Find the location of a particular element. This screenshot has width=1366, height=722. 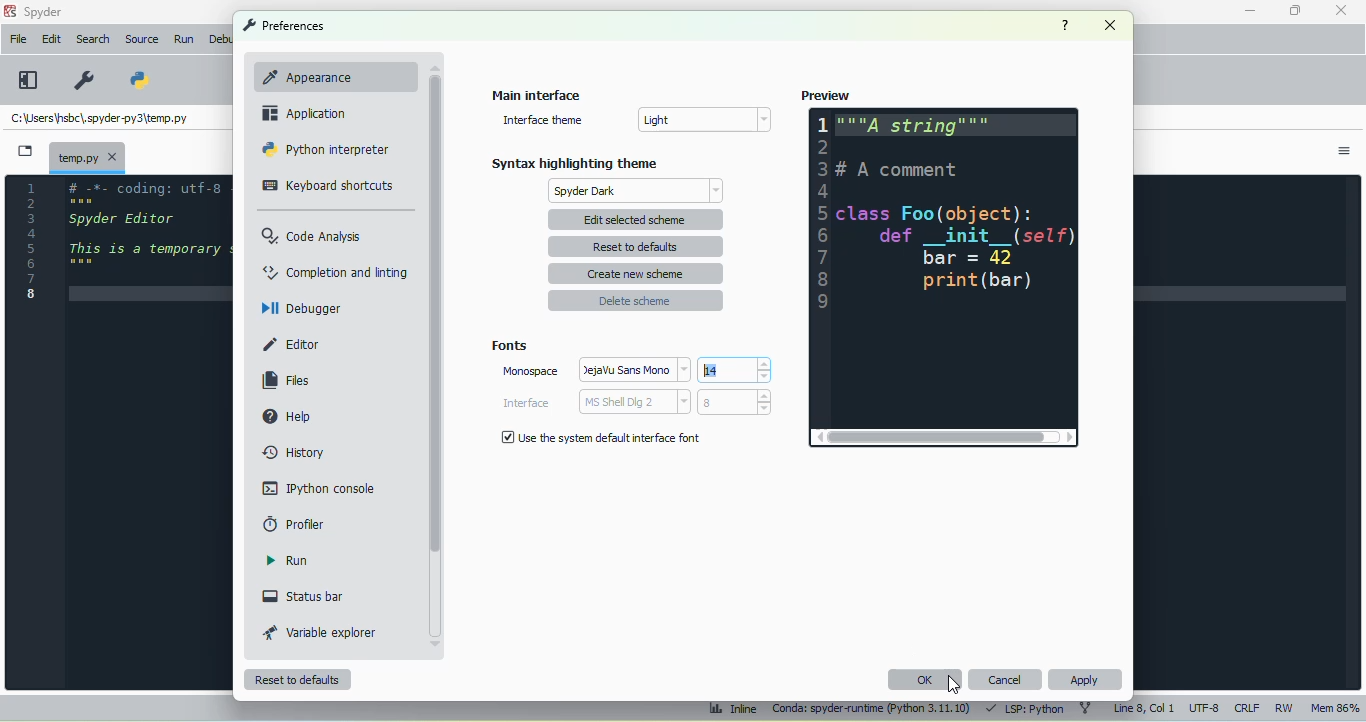

monospace is located at coordinates (530, 371).